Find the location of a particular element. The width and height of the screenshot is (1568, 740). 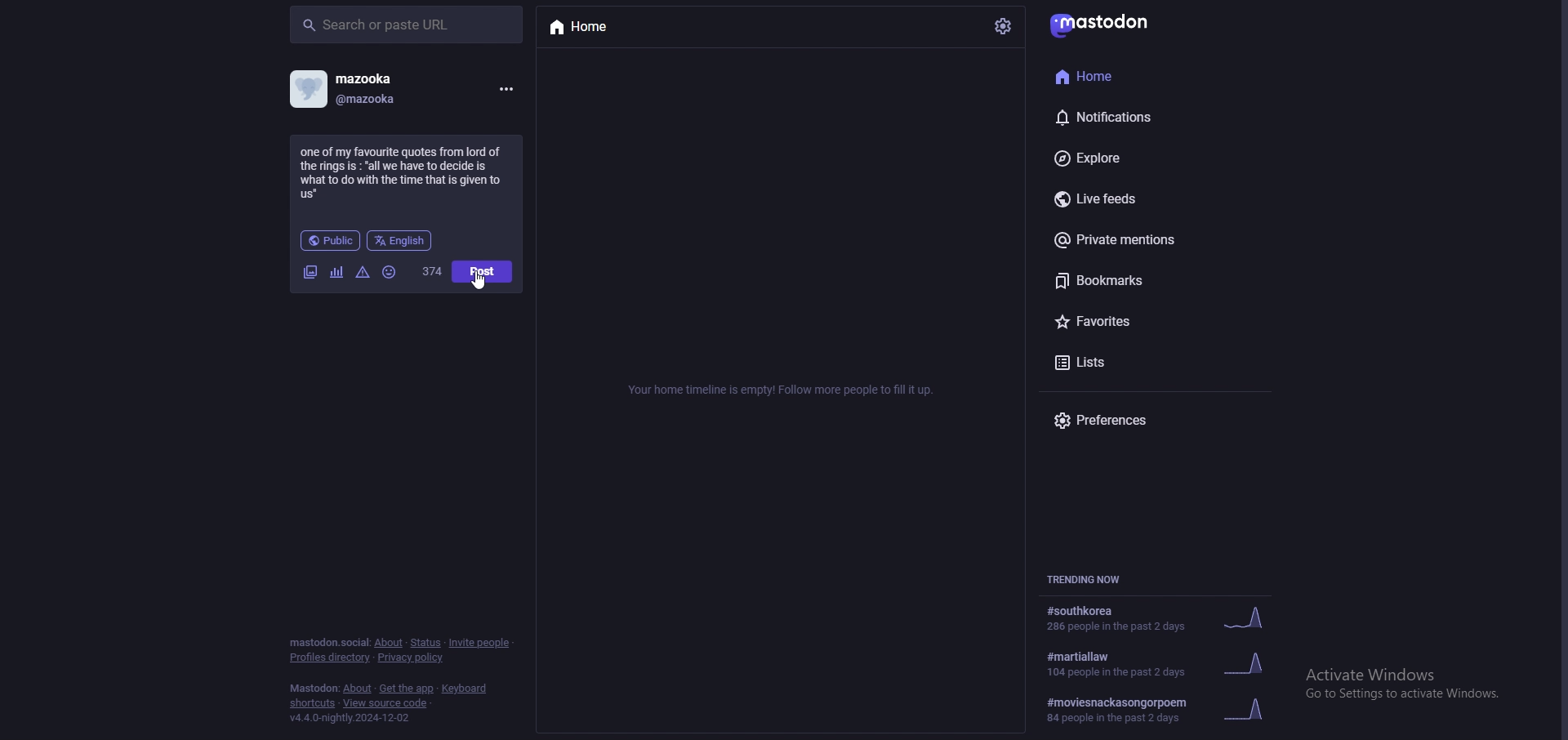

notifications is located at coordinates (1134, 114).